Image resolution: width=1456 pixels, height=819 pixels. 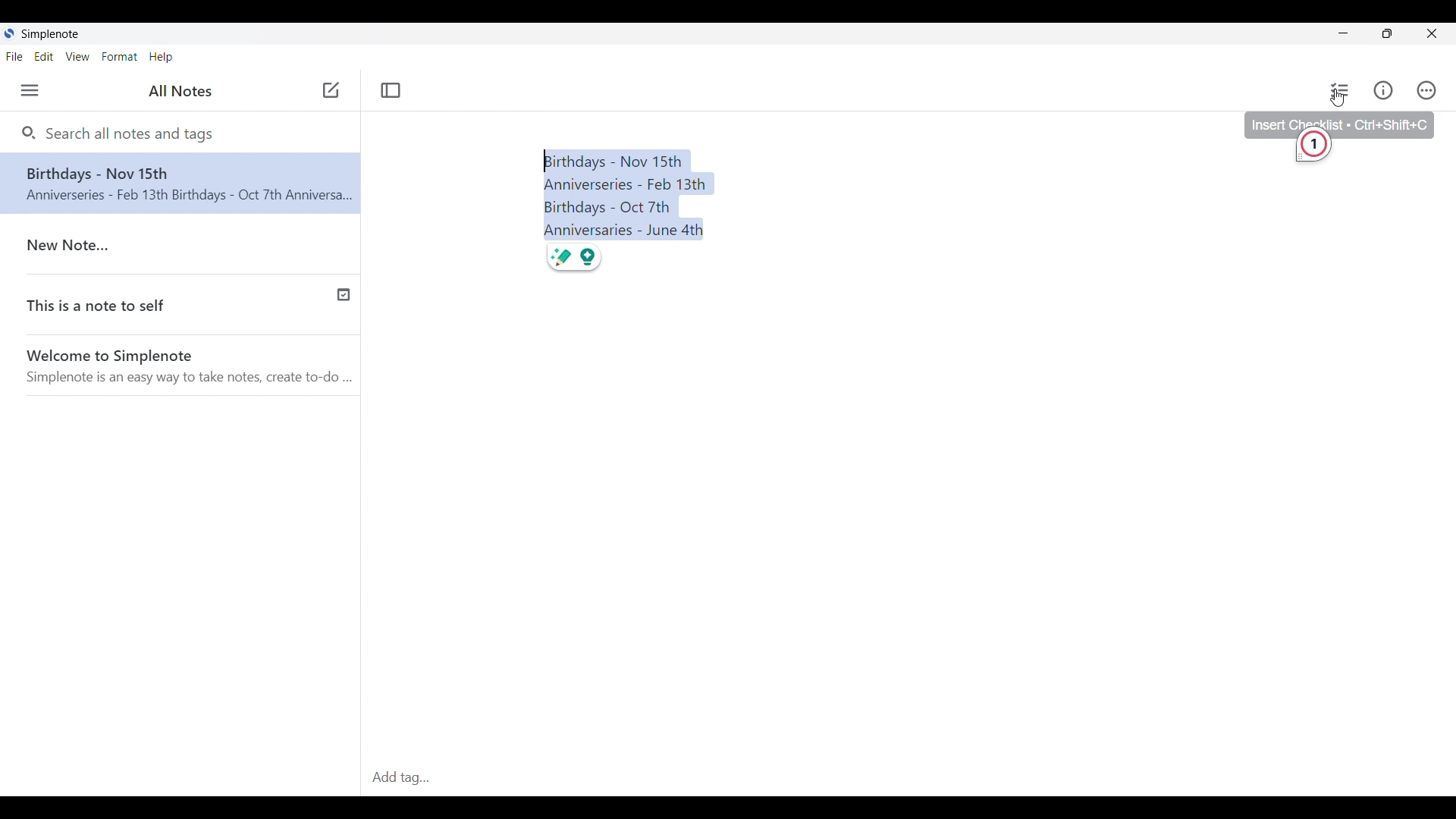 What do you see at coordinates (45, 34) in the screenshot?
I see `Simplenote logo and name` at bounding box center [45, 34].